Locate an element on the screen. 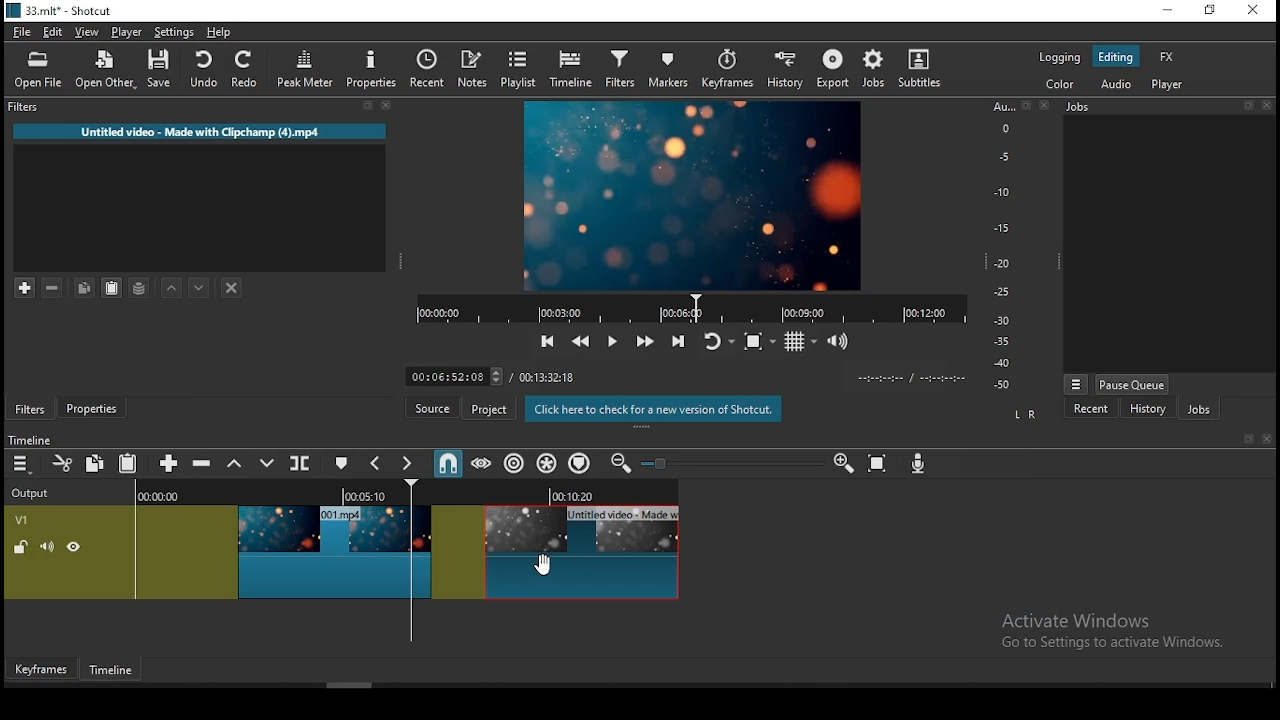 The width and height of the screenshot is (1280, 720). player is located at coordinates (1167, 86).